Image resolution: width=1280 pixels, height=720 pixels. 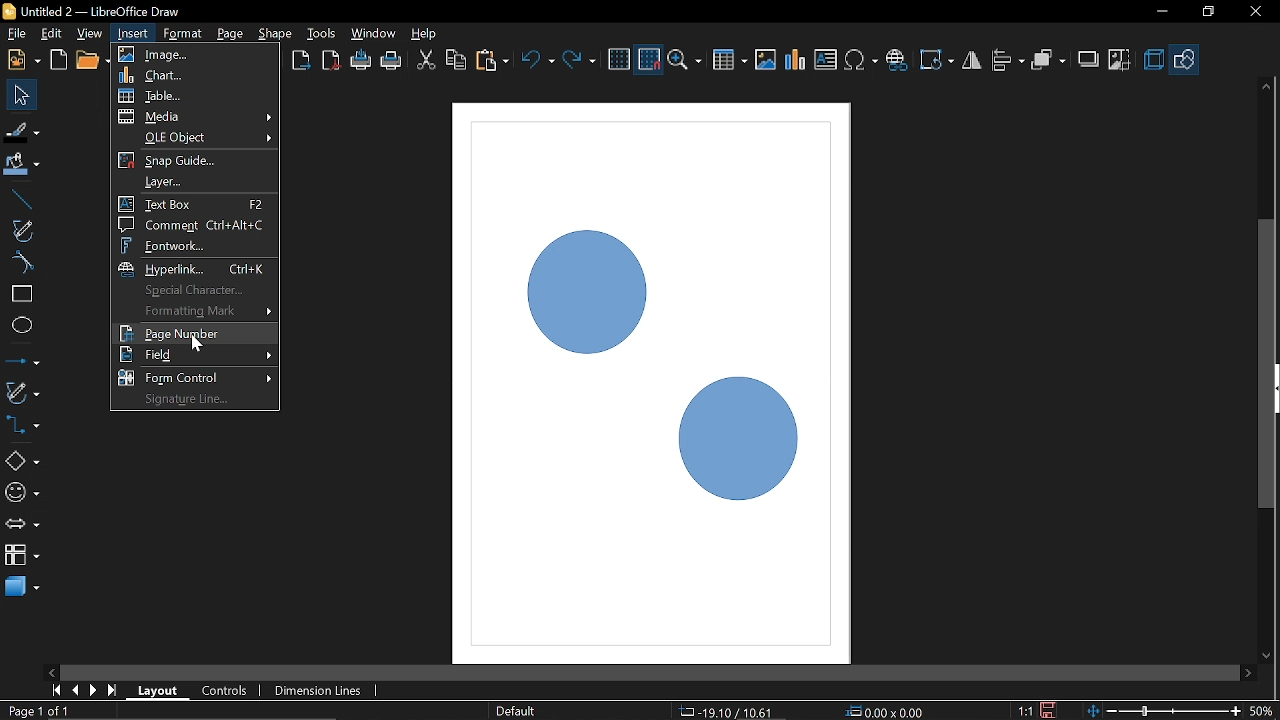 What do you see at coordinates (38, 710) in the screenshot?
I see `Current page` at bounding box center [38, 710].